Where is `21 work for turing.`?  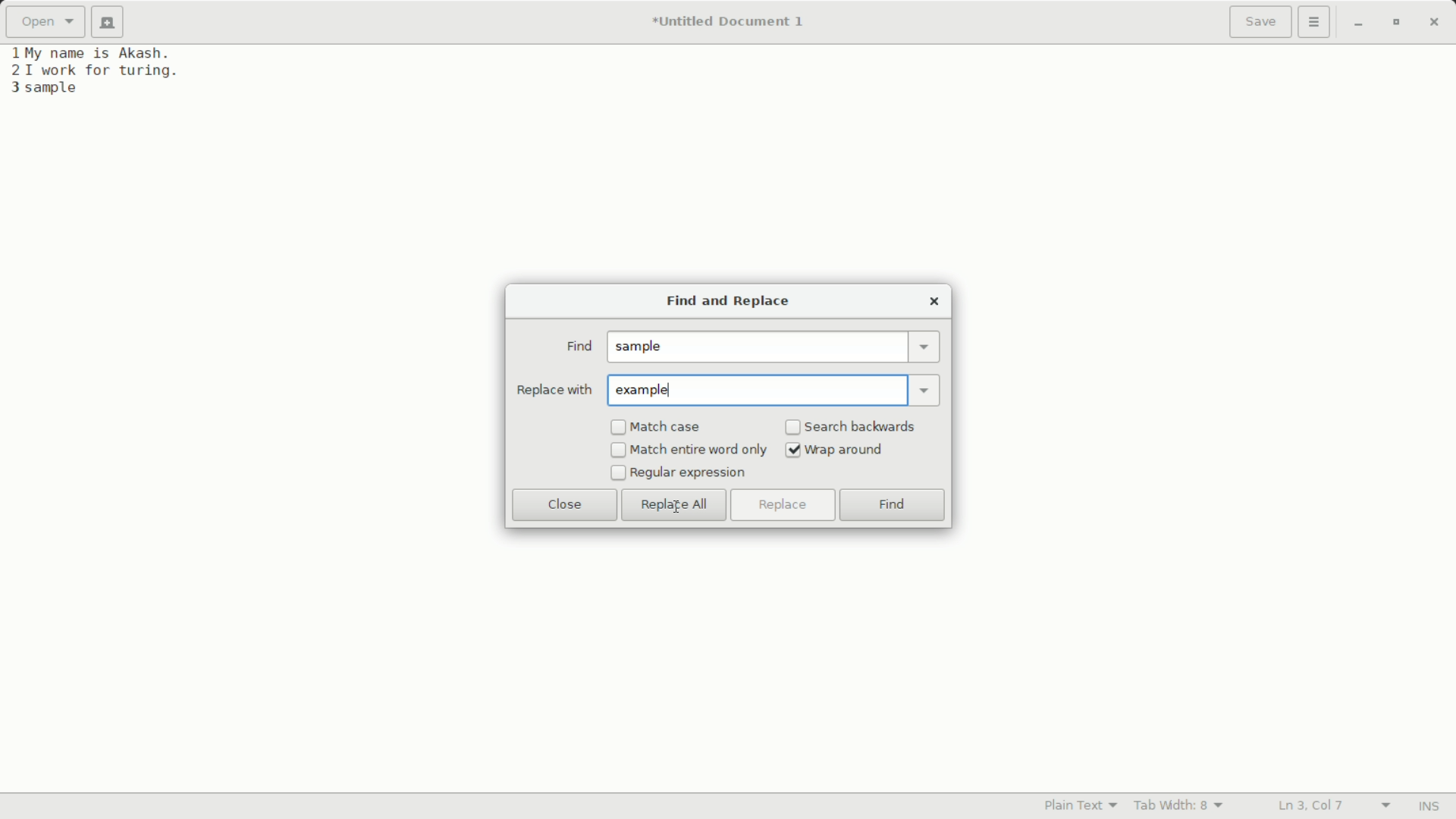 21 work for turing. is located at coordinates (93, 71).